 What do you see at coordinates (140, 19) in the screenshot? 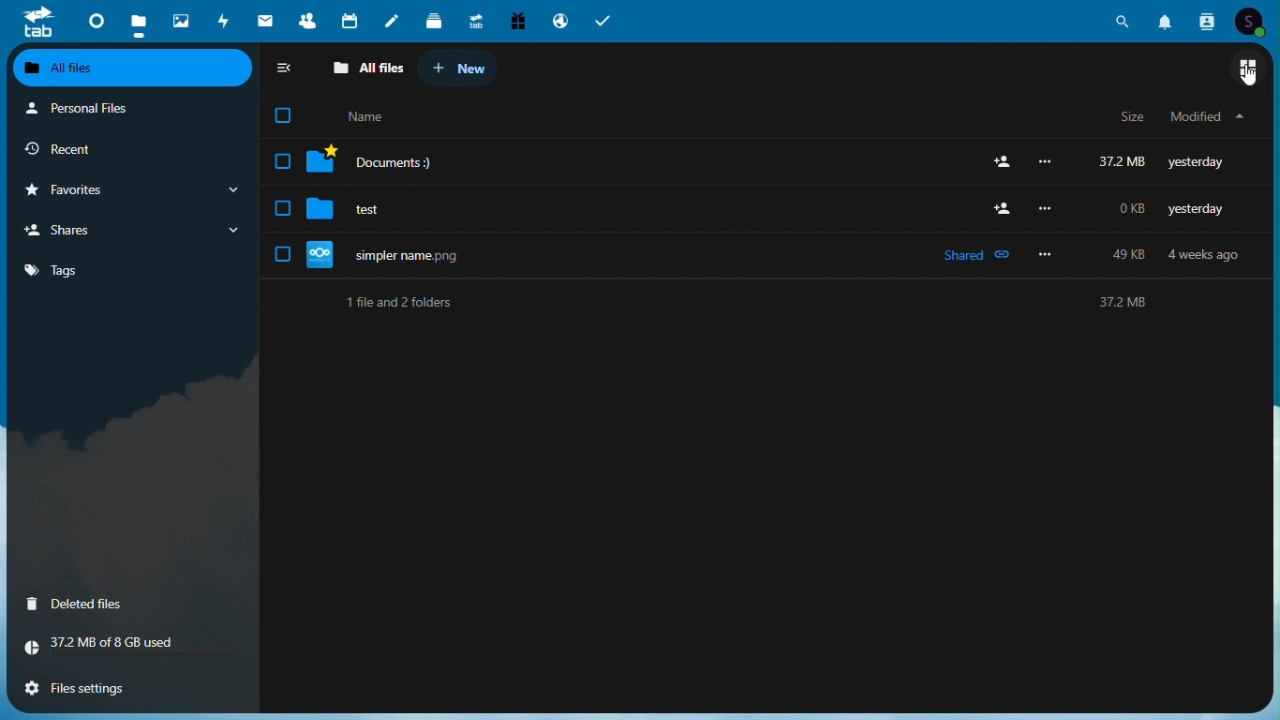
I see `files ` at bounding box center [140, 19].